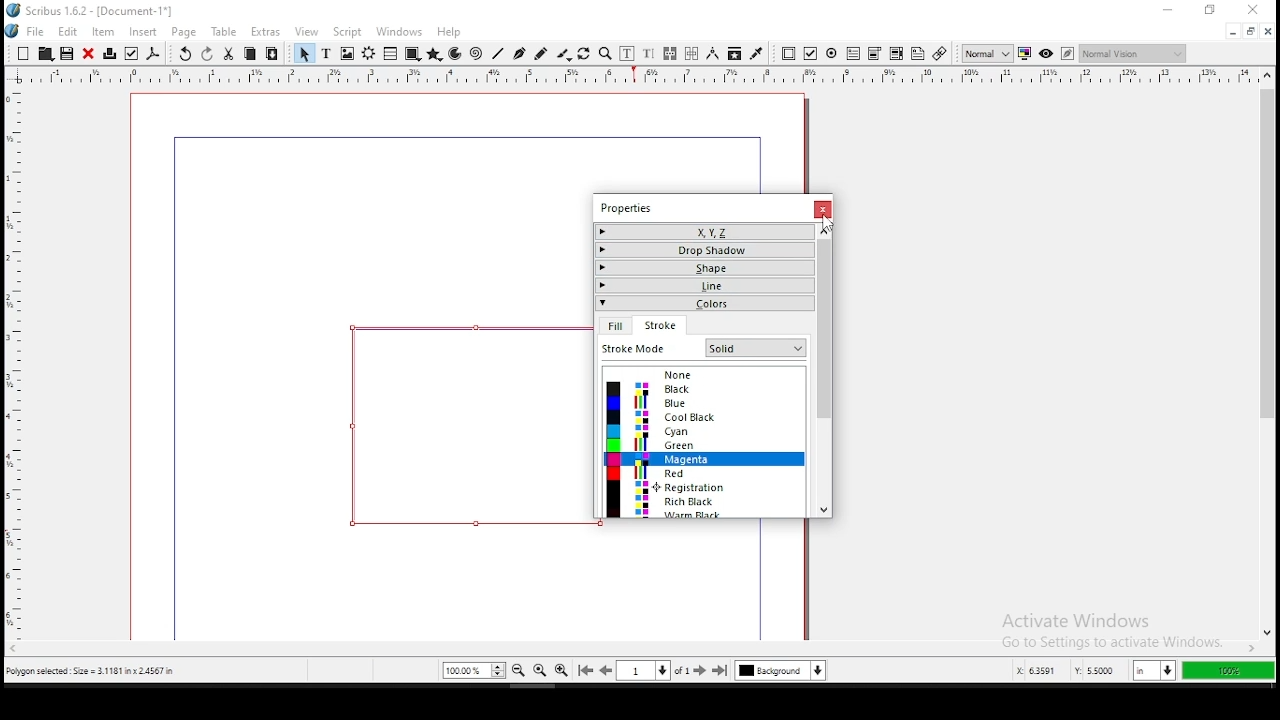 The height and width of the screenshot is (720, 1280). I want to click on toggle color management system, so click(1024, 54).